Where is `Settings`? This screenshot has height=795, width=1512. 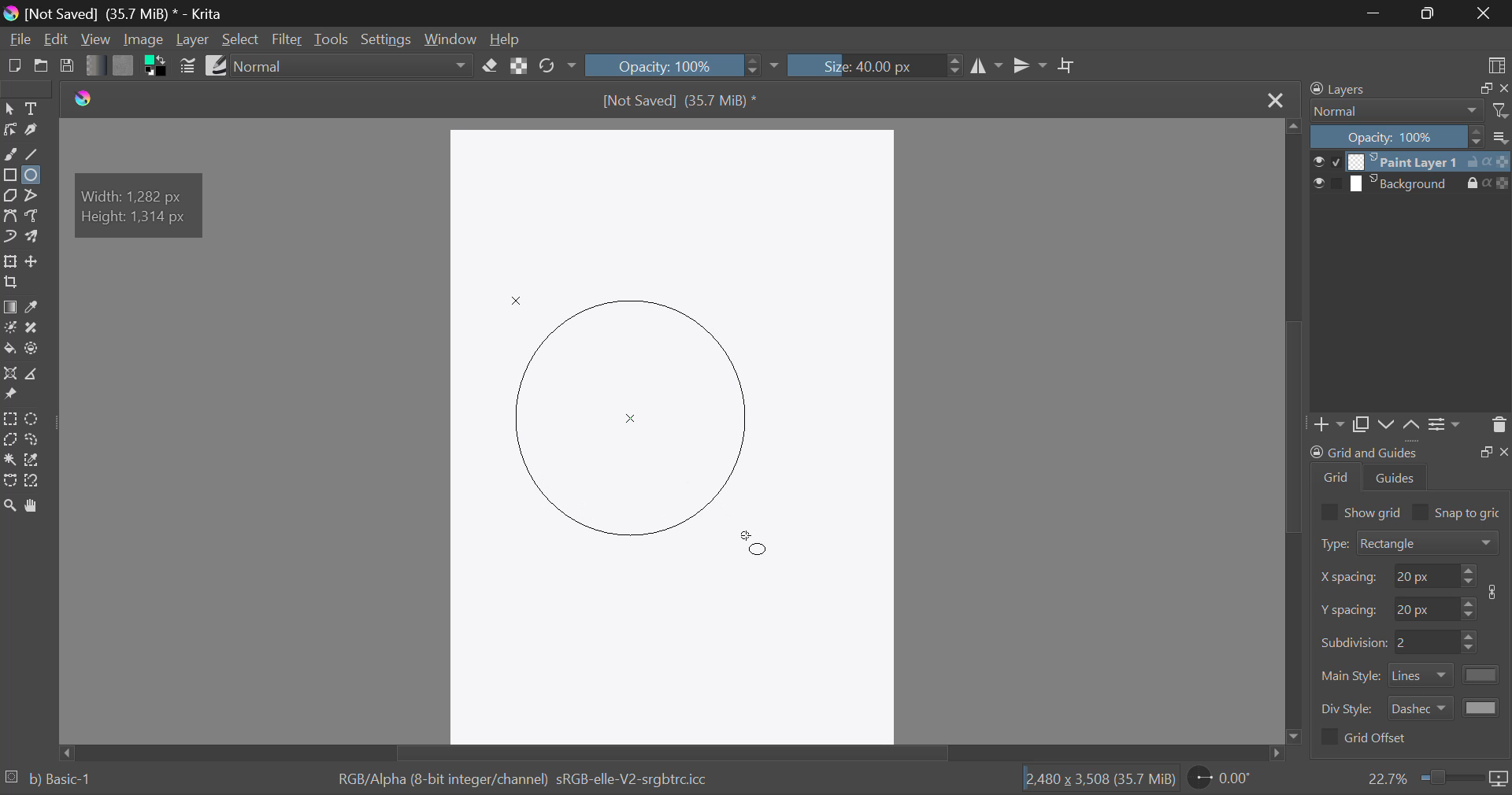
Settings is located at coordinates (1447, 429).